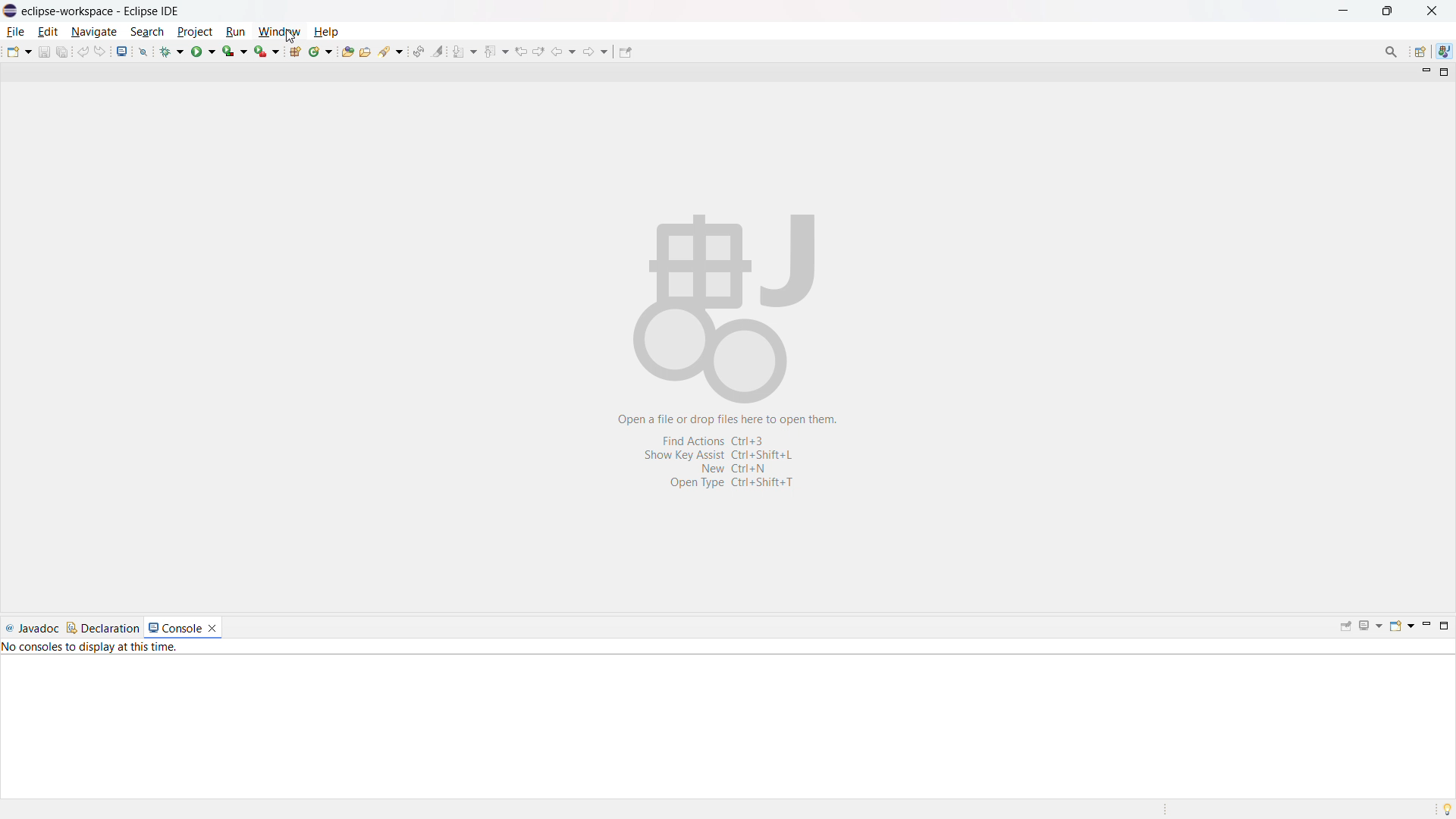 This screenshot has width=1456, height=819. What do you see at coordinates (1427, 626) in the screenshot?
I see `minimize` at bounding box center [1427, 626].